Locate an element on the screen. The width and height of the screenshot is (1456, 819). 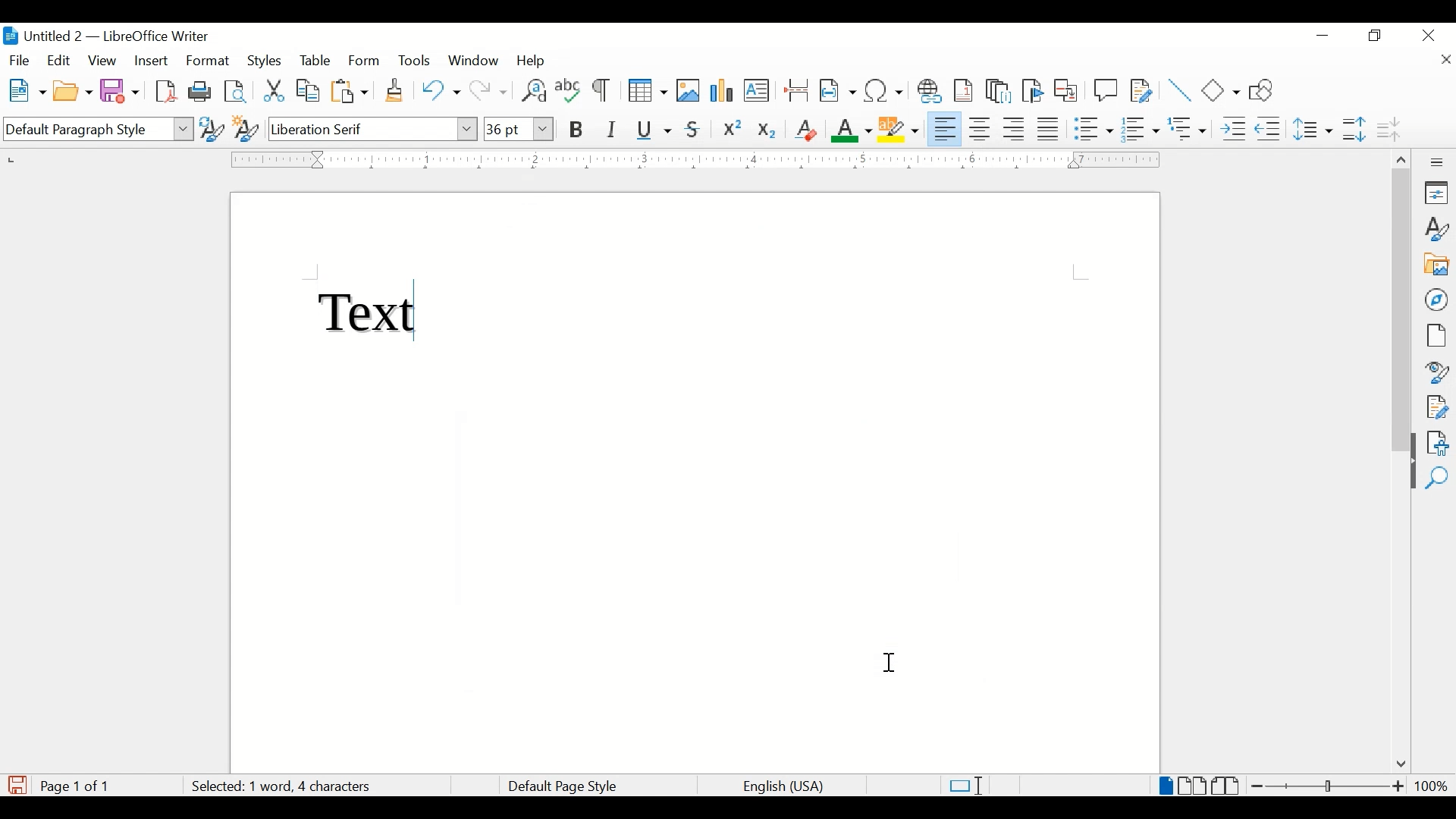
align left is located at coordinates (946, 127).